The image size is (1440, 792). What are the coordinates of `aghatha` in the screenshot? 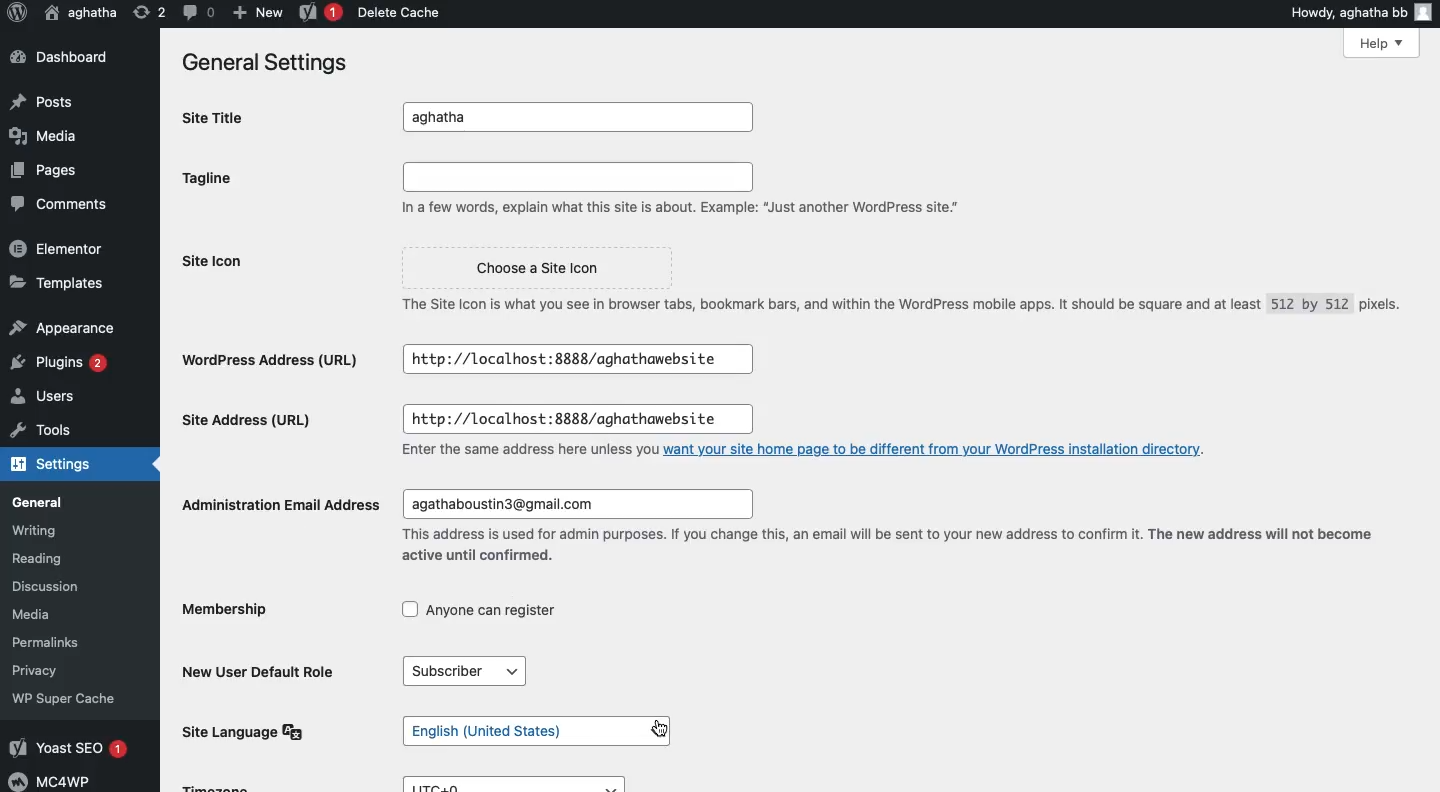 It's located at (584, 118).